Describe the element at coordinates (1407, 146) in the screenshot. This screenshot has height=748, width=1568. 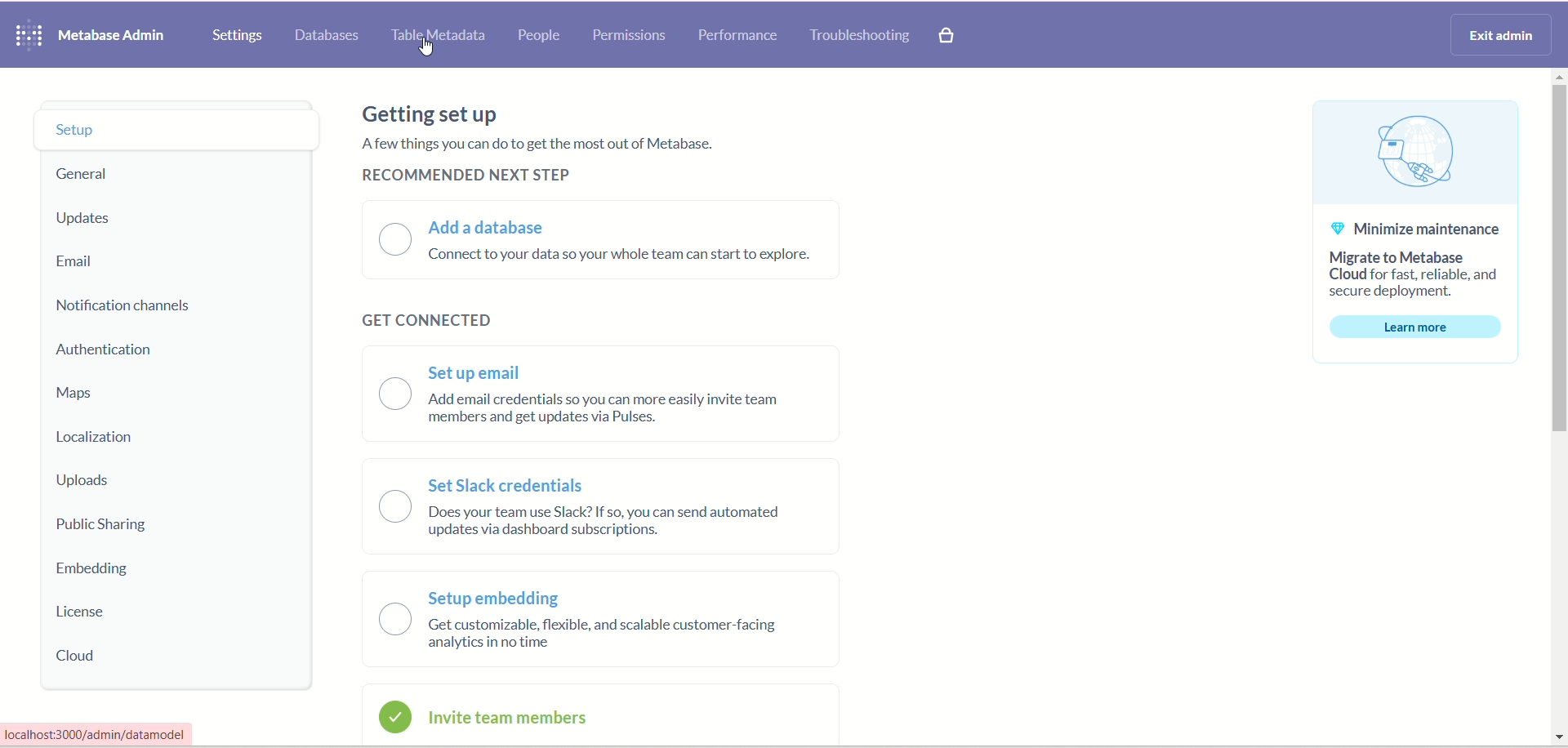
I see `cloud connectivity graphic` at that location.